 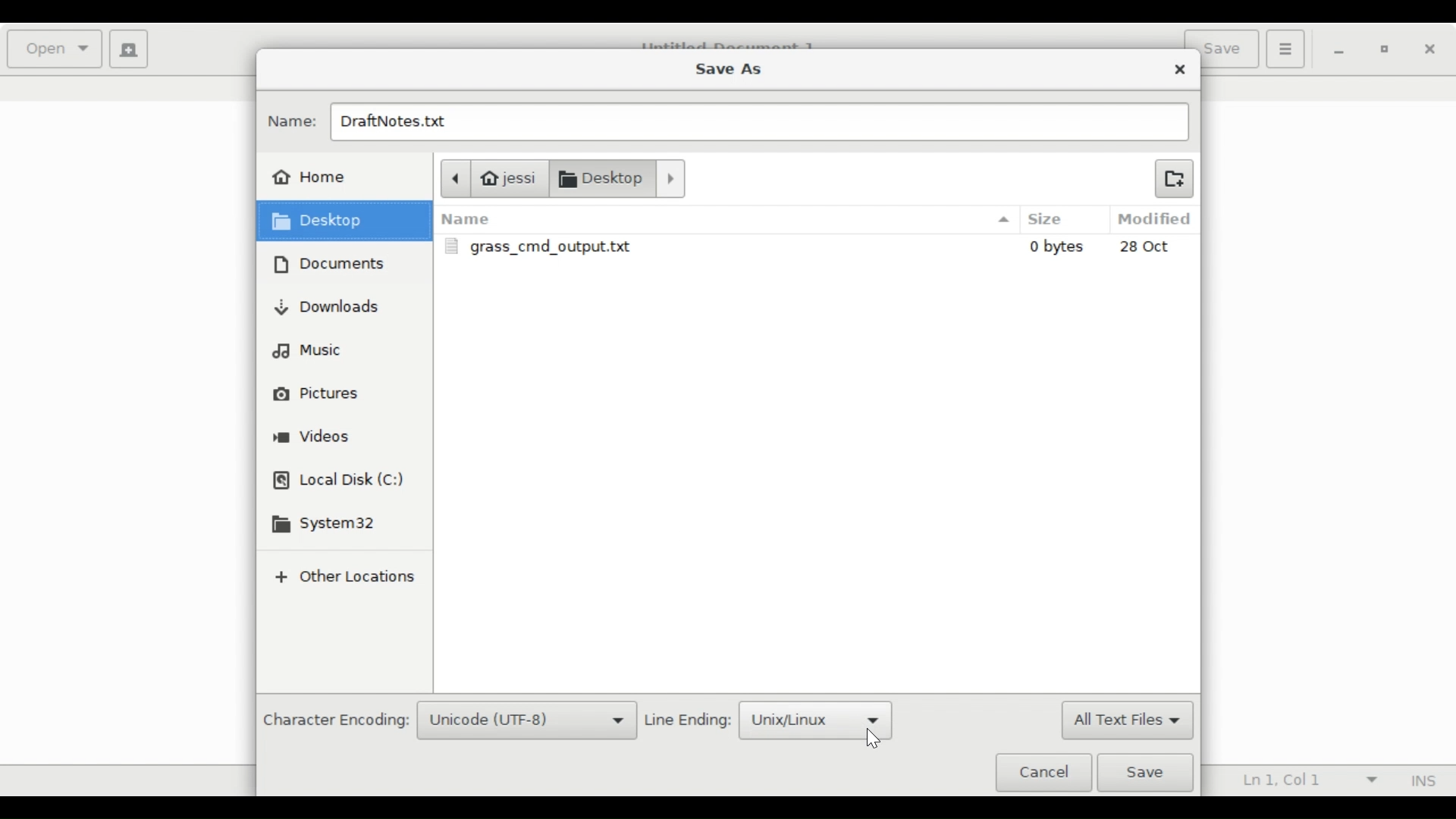 What do you see at coordinates (317, 394) in the screenshot?
I see `Pictures` at bounding box center [317, 394].